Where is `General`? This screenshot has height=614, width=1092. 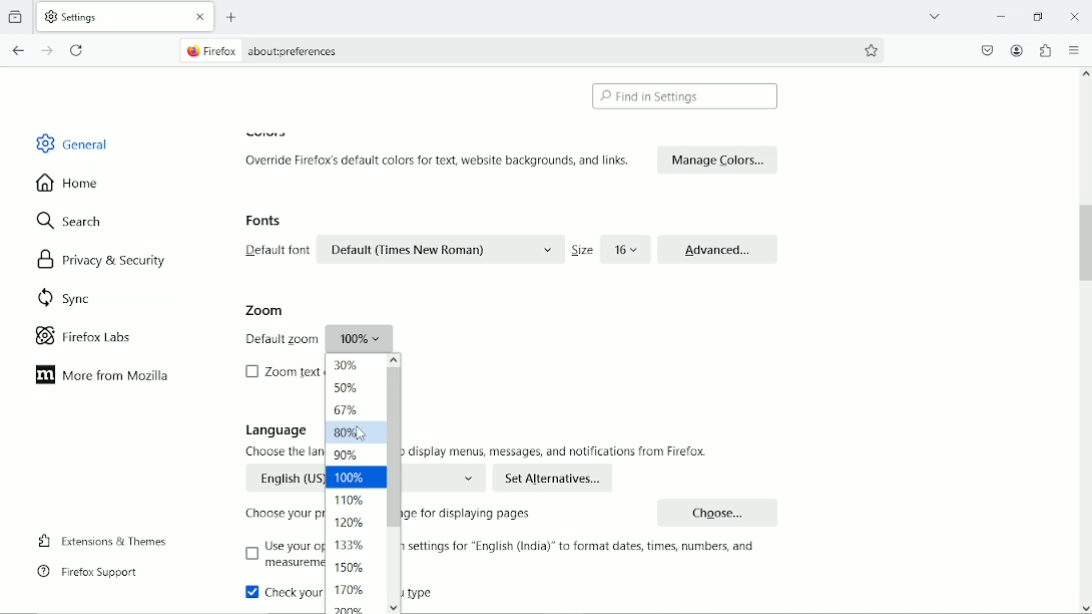 General is located at coordinates (75, 142).